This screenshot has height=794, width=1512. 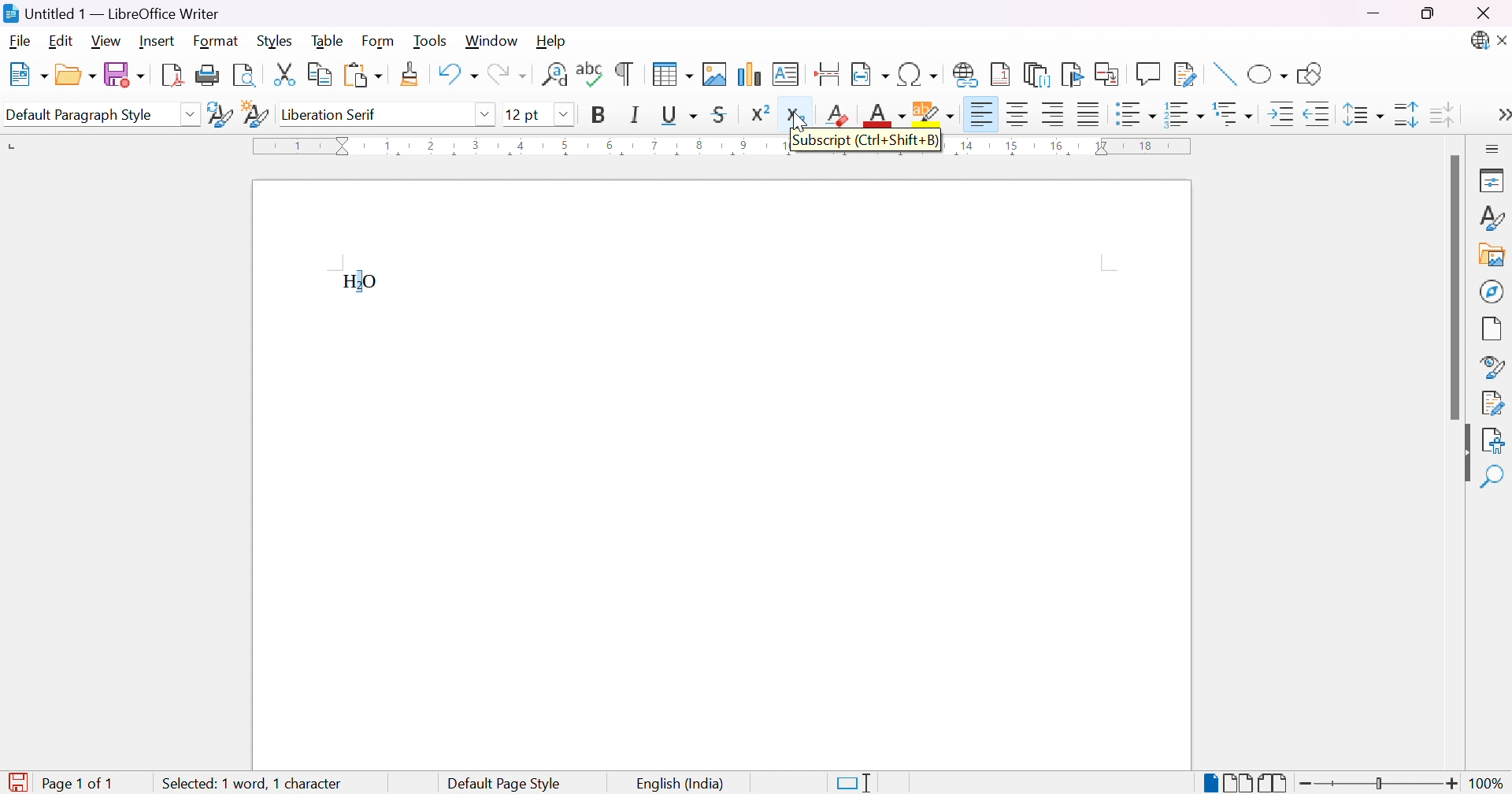 What do you see at coordinates (362, 76) in the screenshot?
I see `Paste` at bounding box center [362, 76].